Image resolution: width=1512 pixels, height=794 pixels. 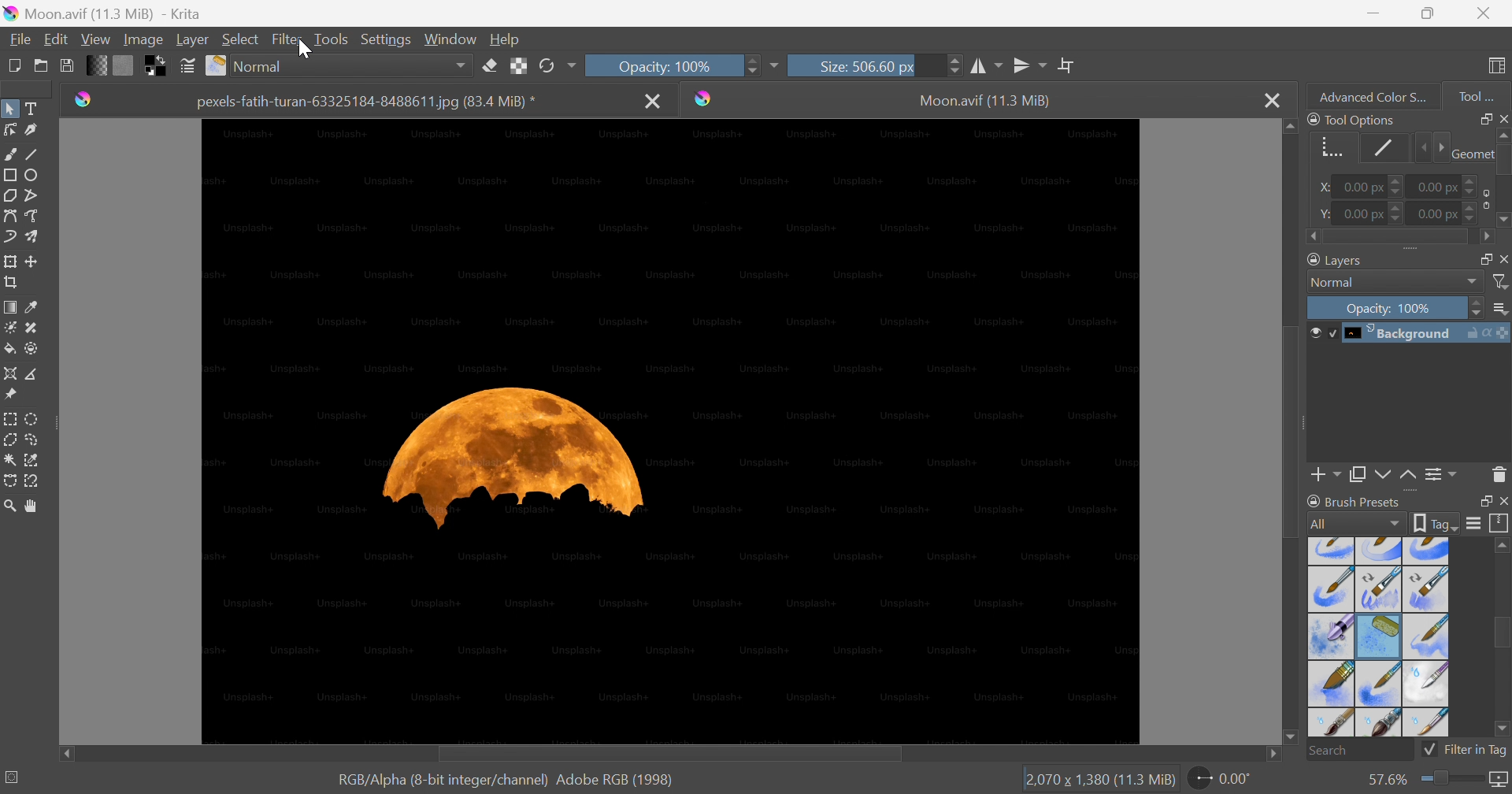 What do you see at coordinates (21, 40) in the screenshot?
I see `File` at bounding box center [21, 40].